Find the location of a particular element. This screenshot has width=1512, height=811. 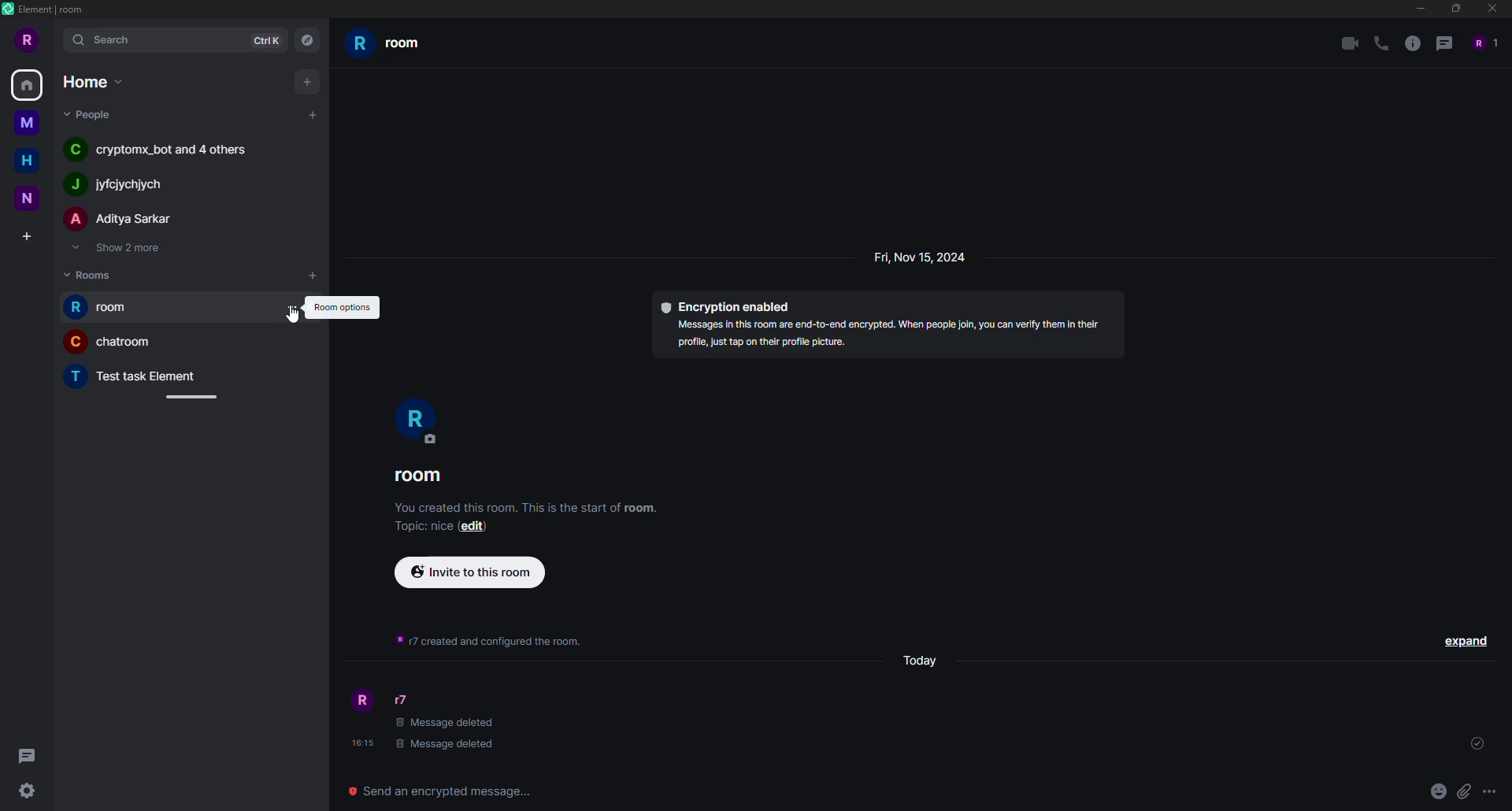

topic is located at coordinates (419, 527).